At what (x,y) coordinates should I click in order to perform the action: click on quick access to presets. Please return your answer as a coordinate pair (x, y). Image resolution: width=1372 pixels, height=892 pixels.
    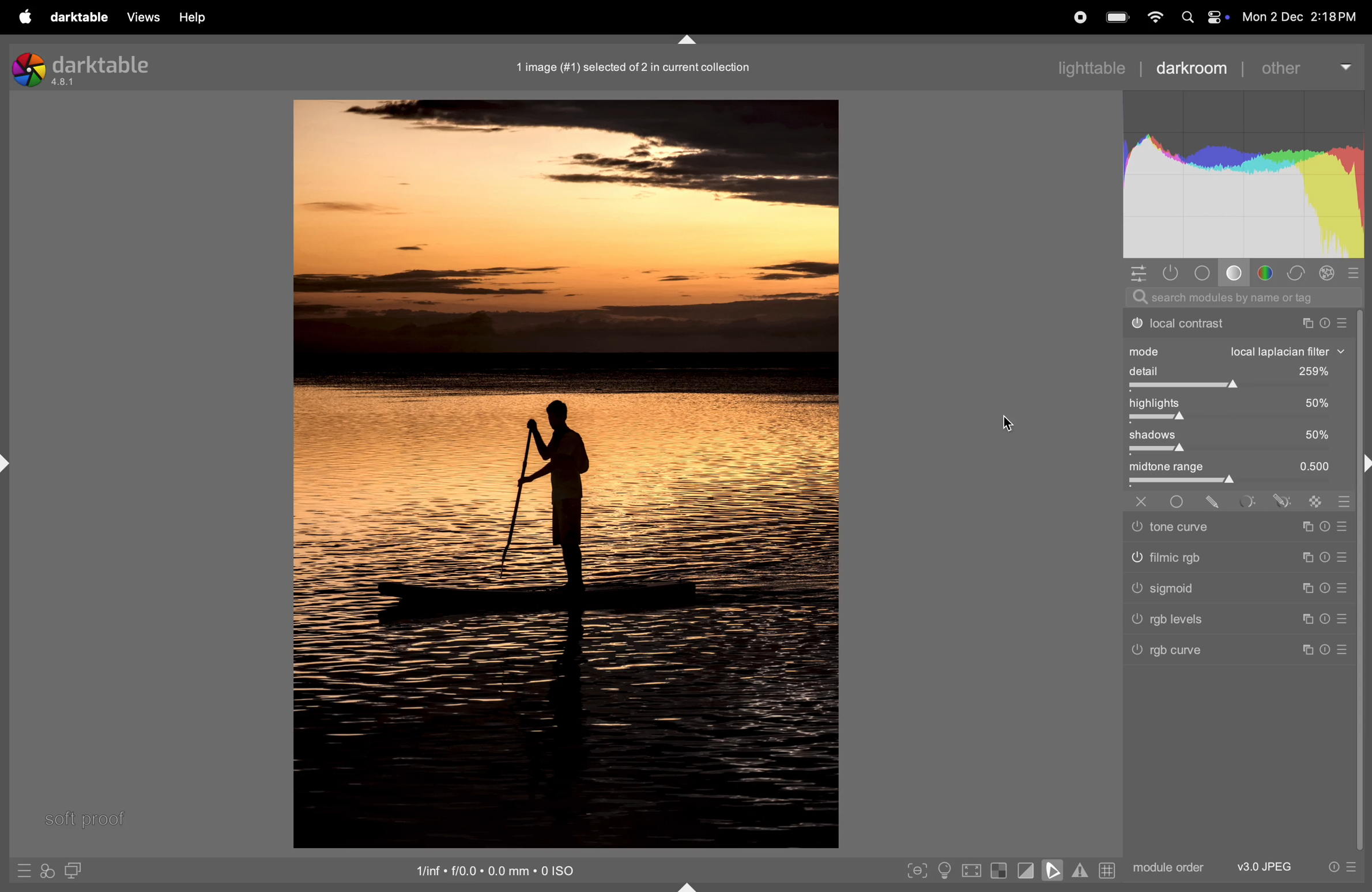
    Looking at the image, I should click on (19, 868).